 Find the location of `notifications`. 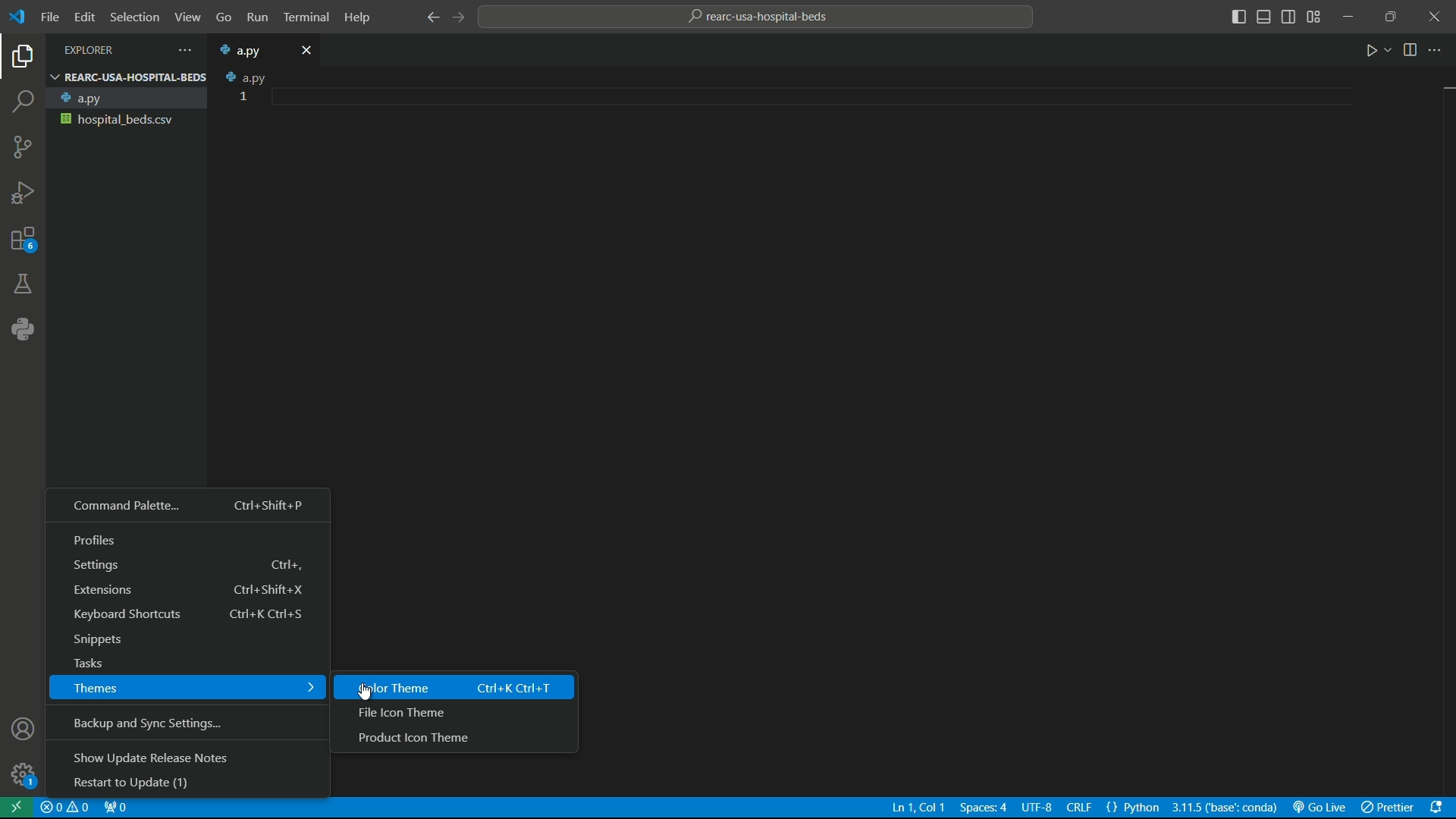

notifications is located at coordinates (1439, 808).